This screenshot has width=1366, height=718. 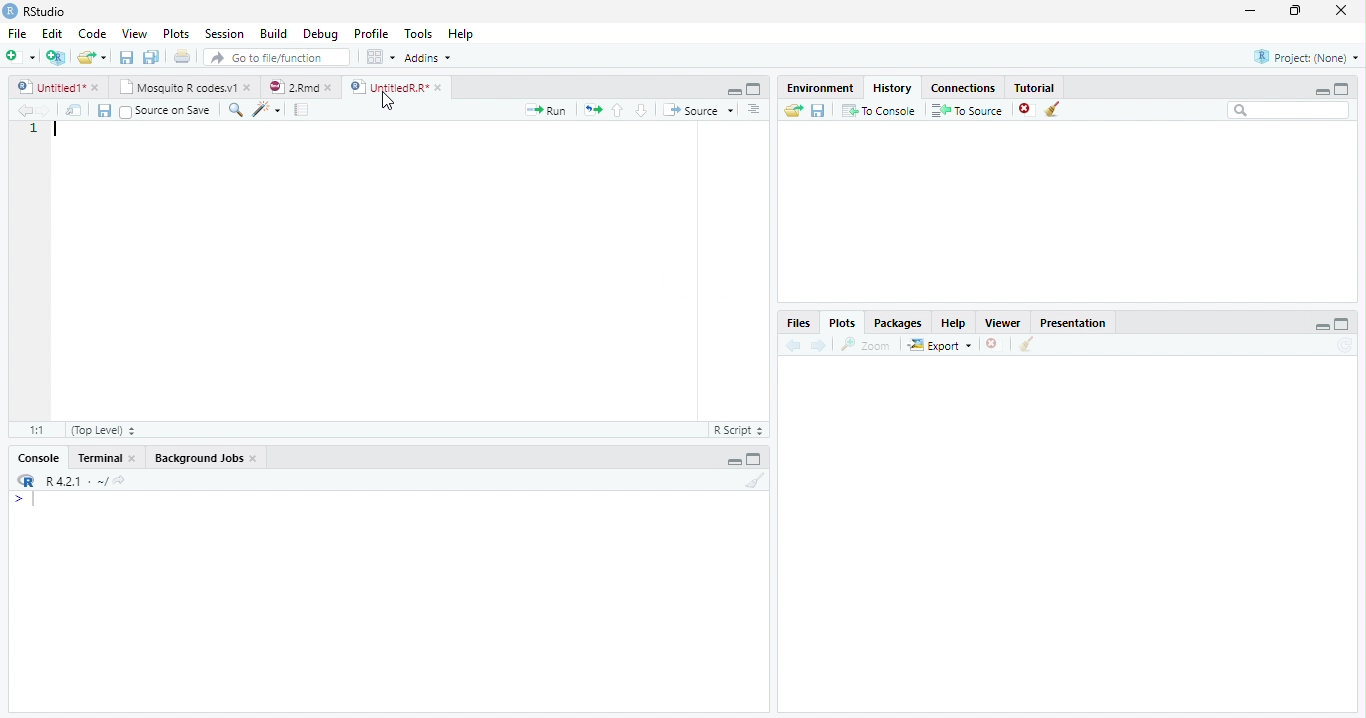 I want to click on Tools, so click(x=418, y=33).